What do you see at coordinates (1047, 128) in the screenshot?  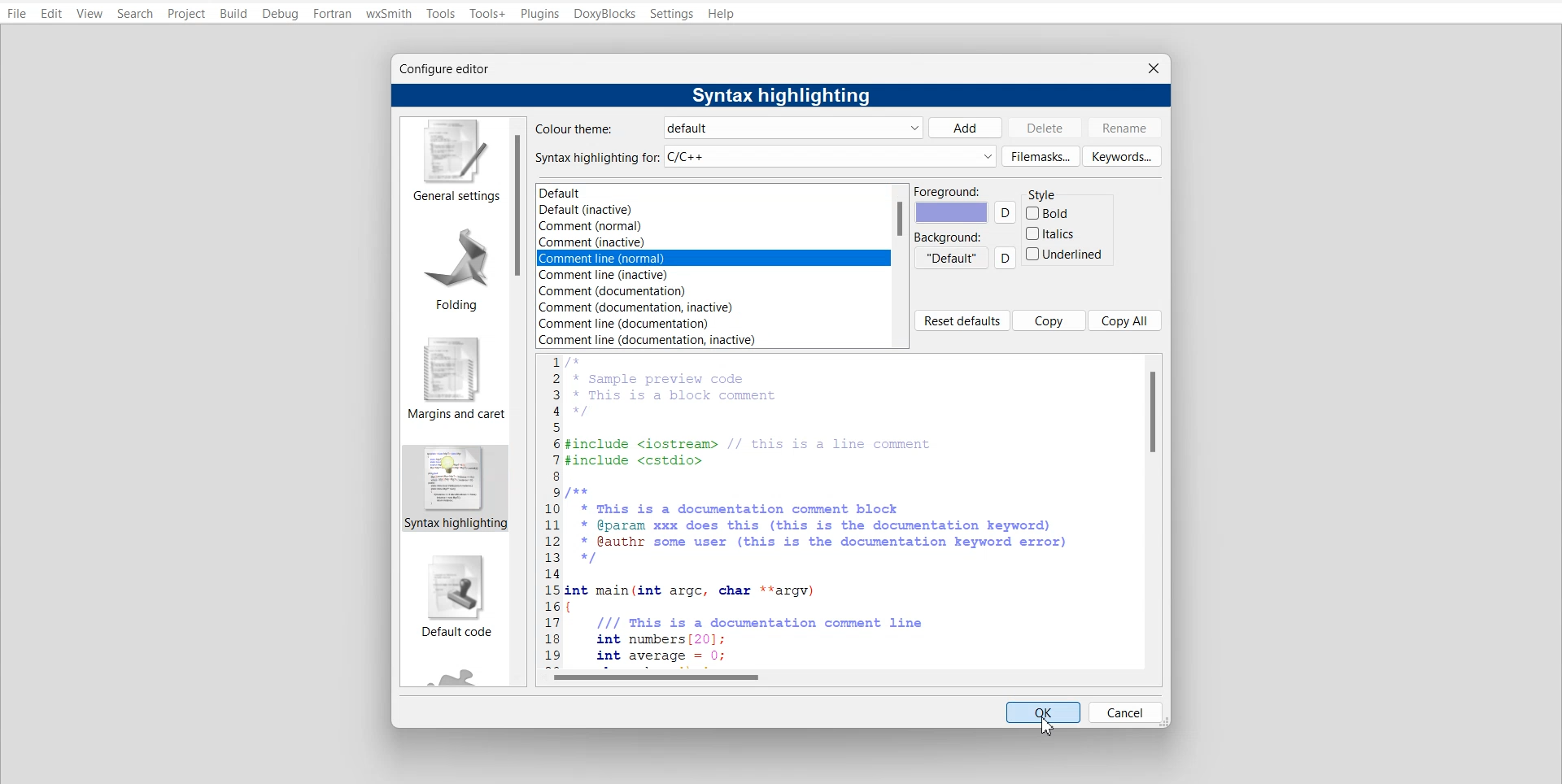 I see `Delete` at bounding box center [1047, 128].